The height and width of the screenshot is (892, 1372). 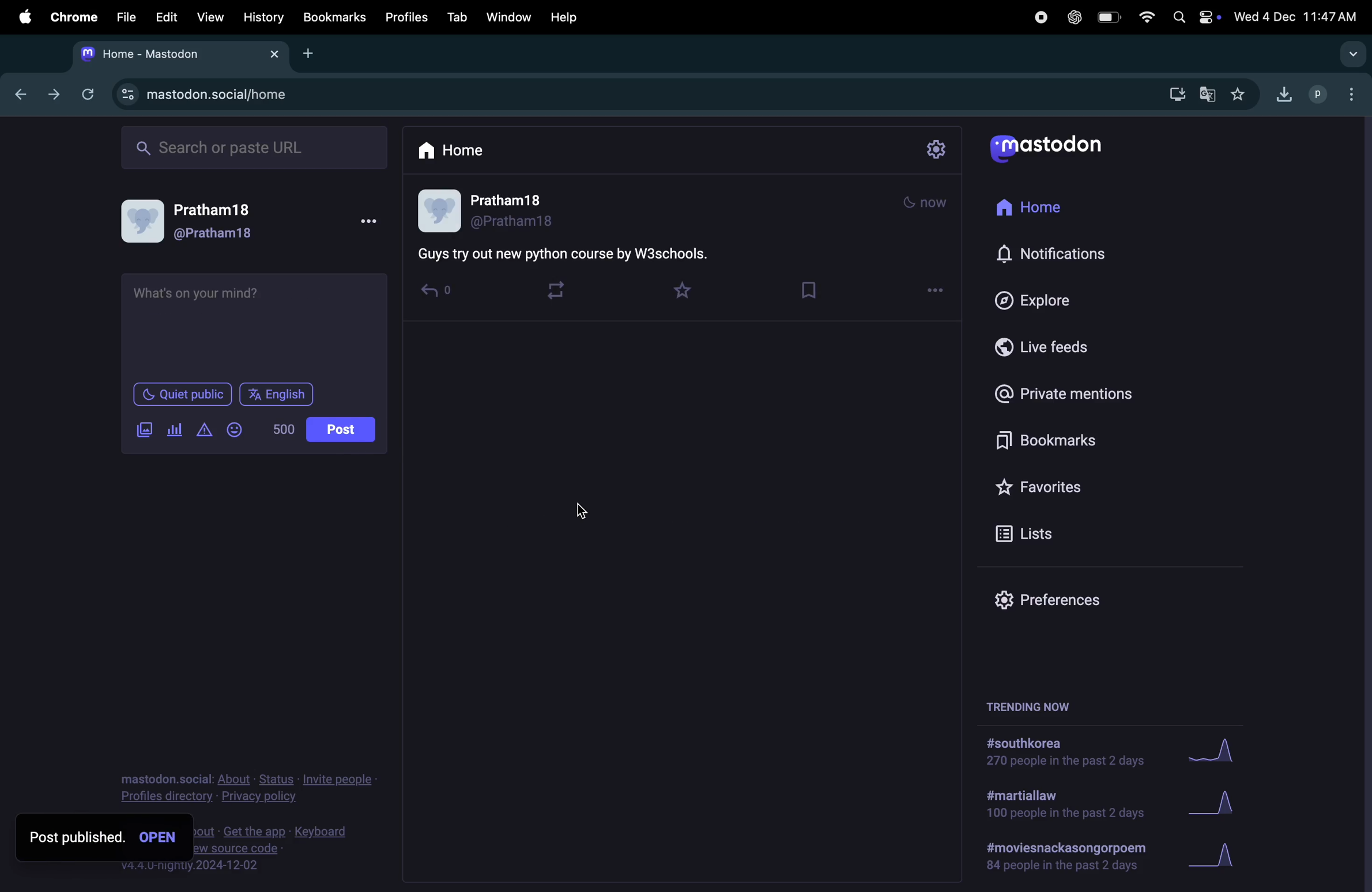 What do you see at coordinates (1037, 302) in the screenshot?
I see `explore` at bounding box center [1037, 302].